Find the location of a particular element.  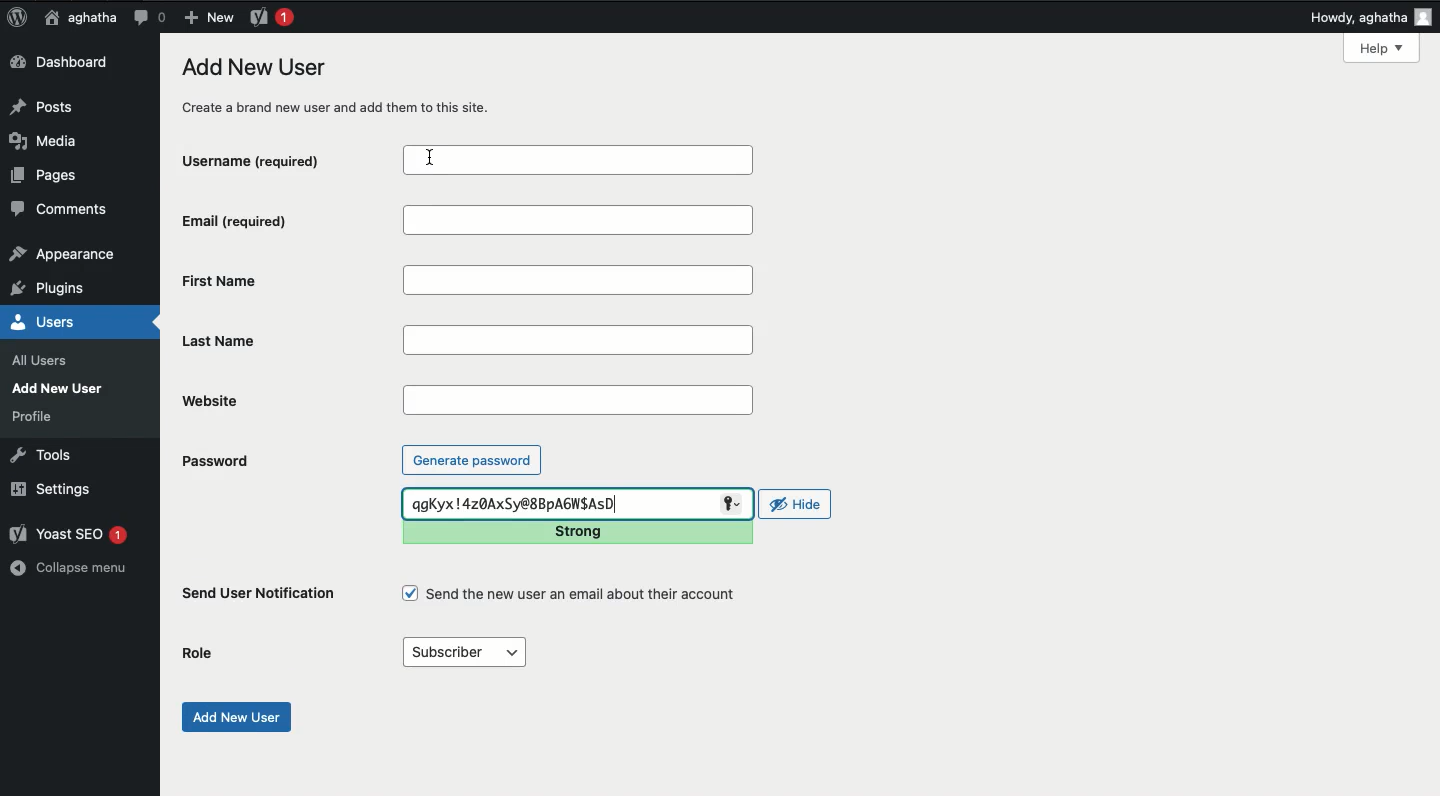

Users is located at coordinates (64, 322).